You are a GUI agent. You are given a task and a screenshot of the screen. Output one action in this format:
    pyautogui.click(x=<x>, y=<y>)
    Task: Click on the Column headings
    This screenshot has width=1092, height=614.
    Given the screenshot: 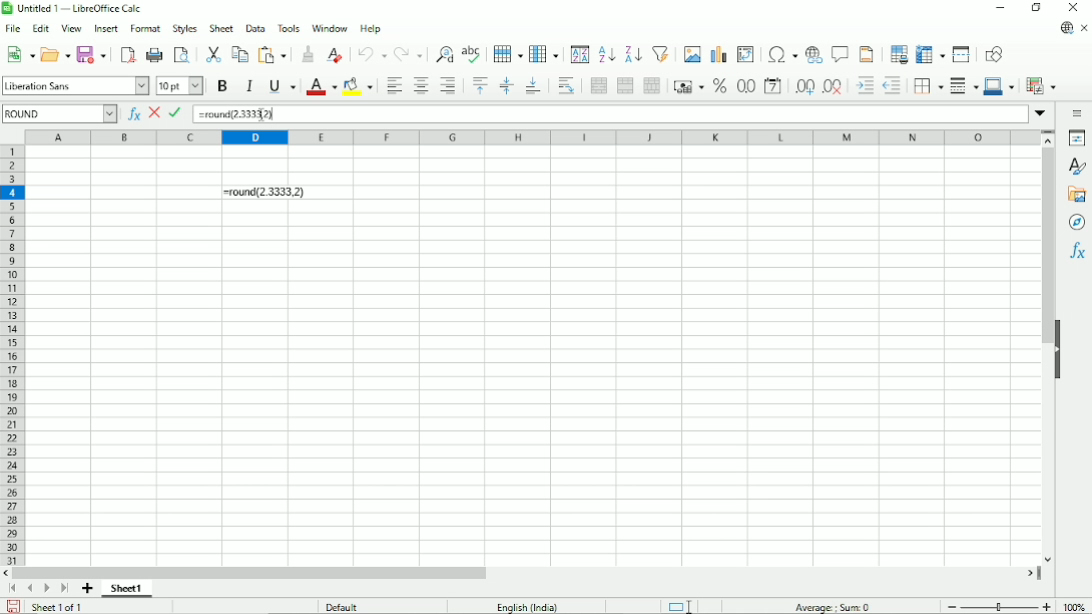 What is the action you would take?
    pyautogui.click(x=530, y=137)
    